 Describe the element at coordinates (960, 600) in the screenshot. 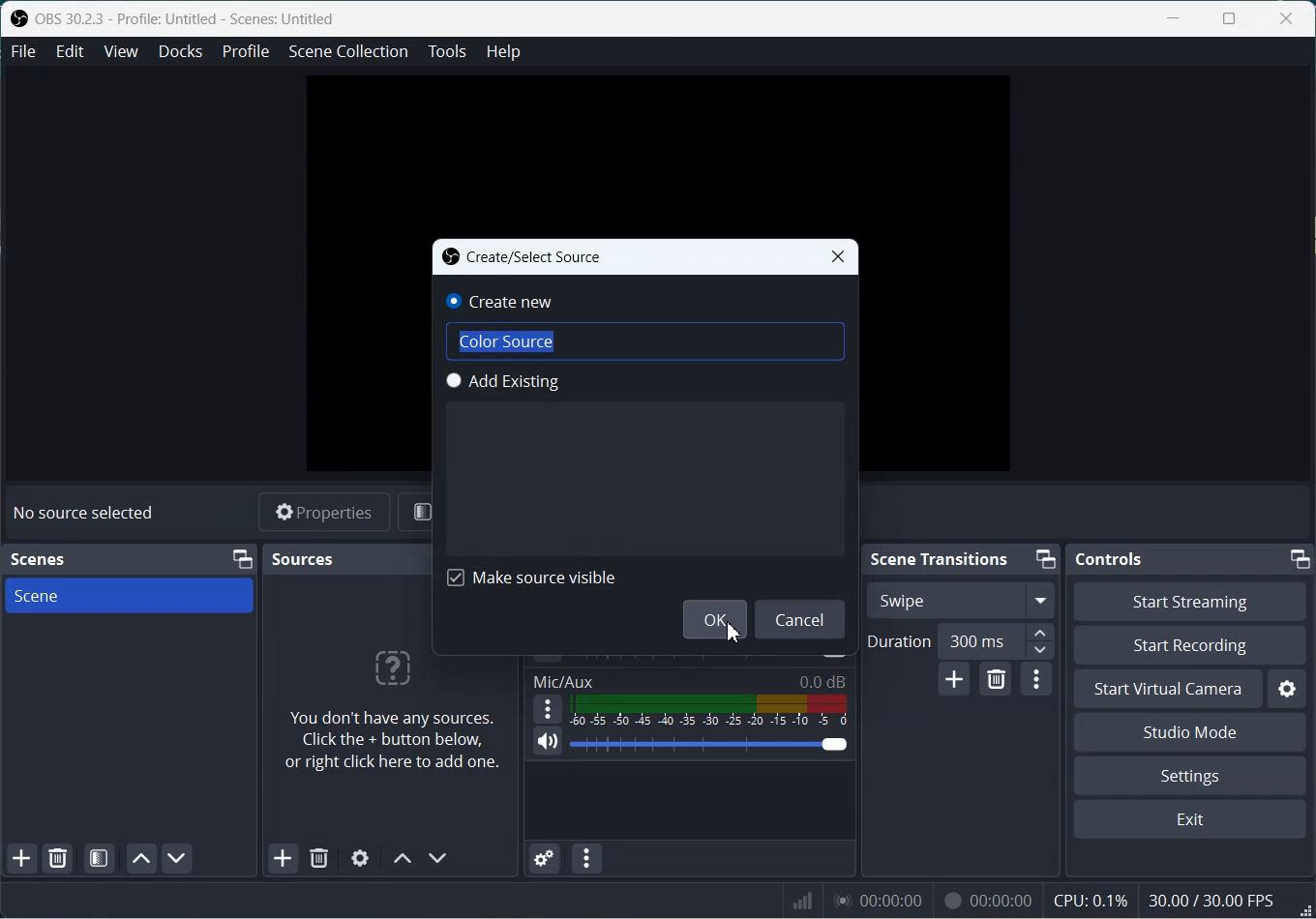

I see `Swipe` at that location.